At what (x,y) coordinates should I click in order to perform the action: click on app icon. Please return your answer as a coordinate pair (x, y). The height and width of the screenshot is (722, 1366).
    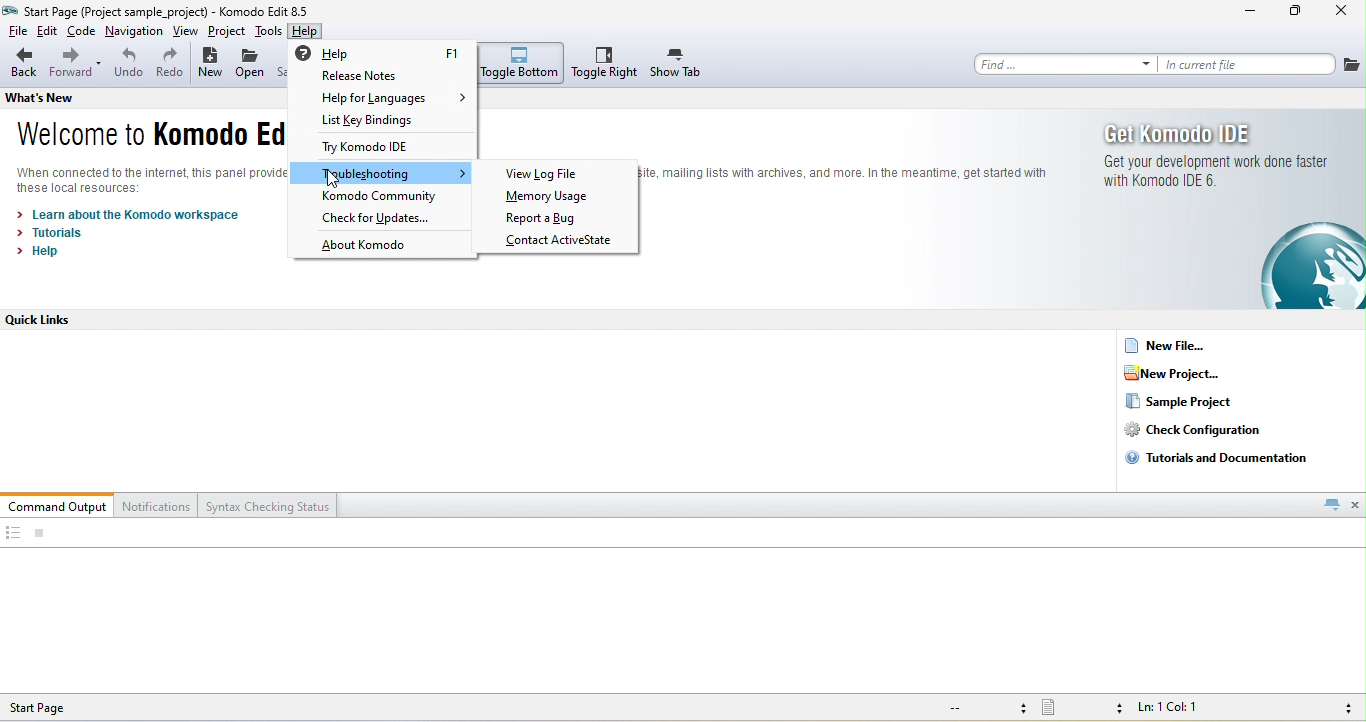
    Looking at the image, I should click on (11, 10).